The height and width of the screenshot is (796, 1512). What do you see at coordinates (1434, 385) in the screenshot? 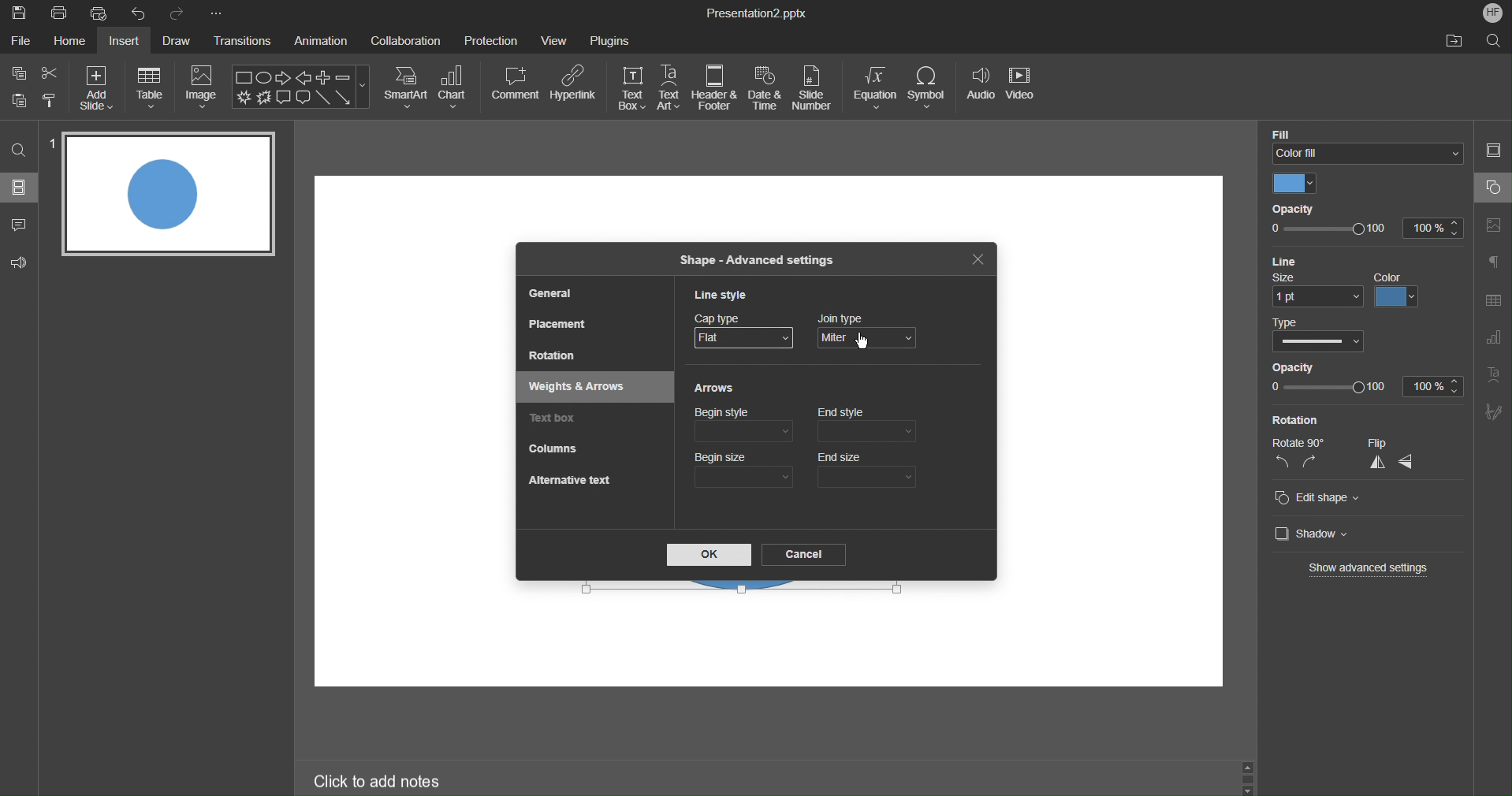
I see `100%` at bounding box center [1434, 385].